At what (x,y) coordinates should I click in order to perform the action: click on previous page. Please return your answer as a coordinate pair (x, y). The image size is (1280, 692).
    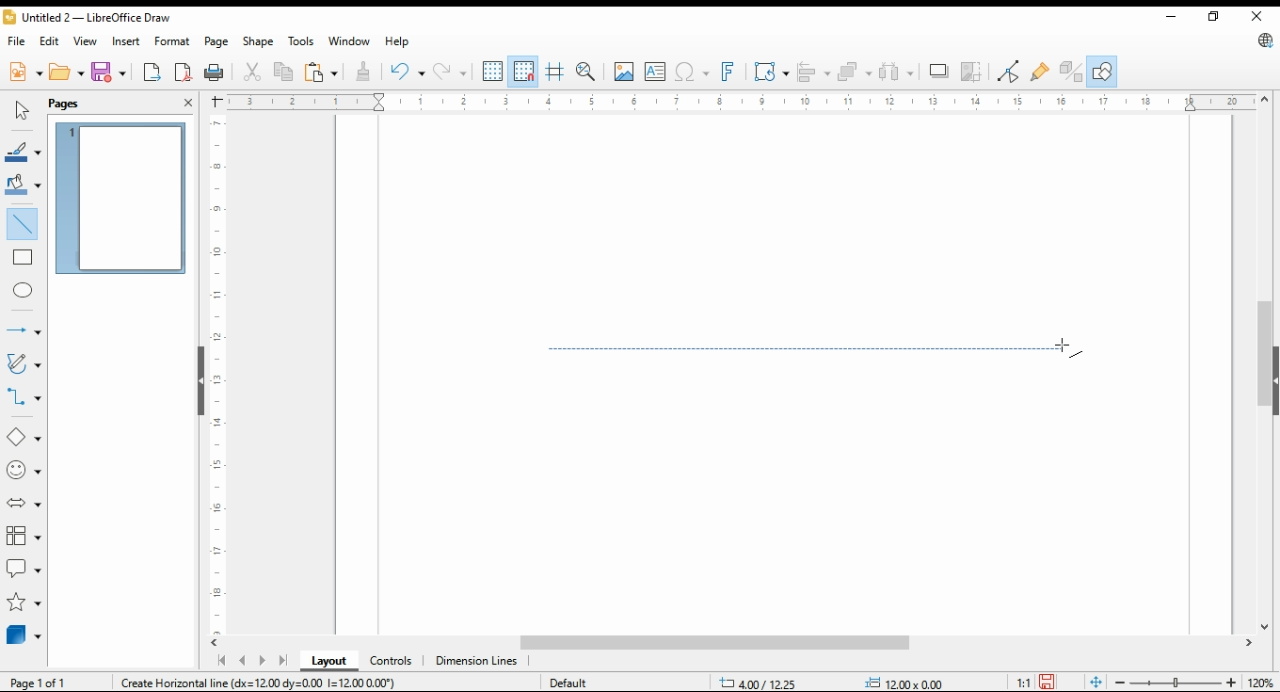
    Looking at the image, I should click on (243, 662).